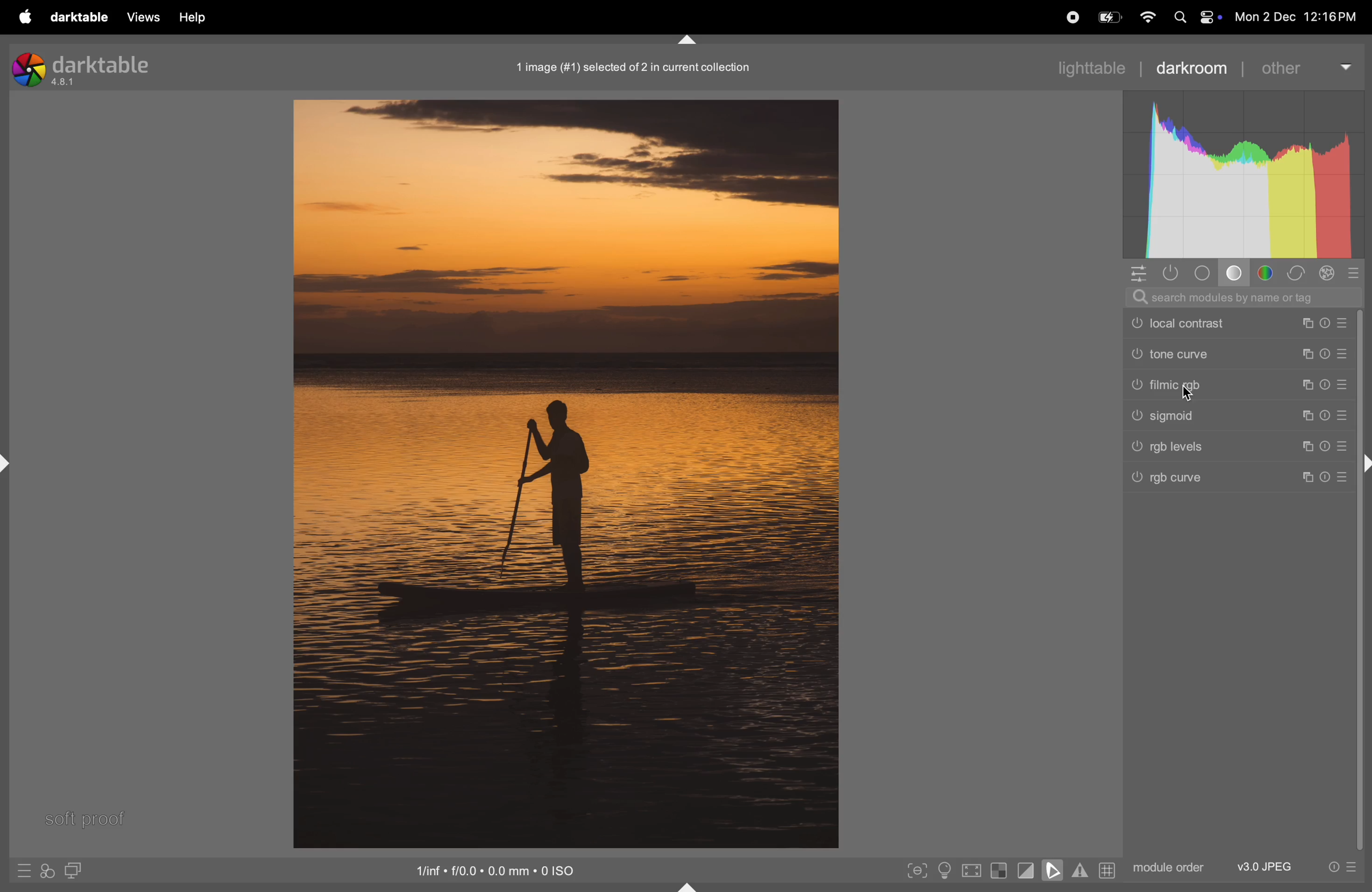 The width and height of the screenshot is (1372, 892). Describe the element at coordinates (1146, 18) in the screenshot. I see `wifi` at that location.